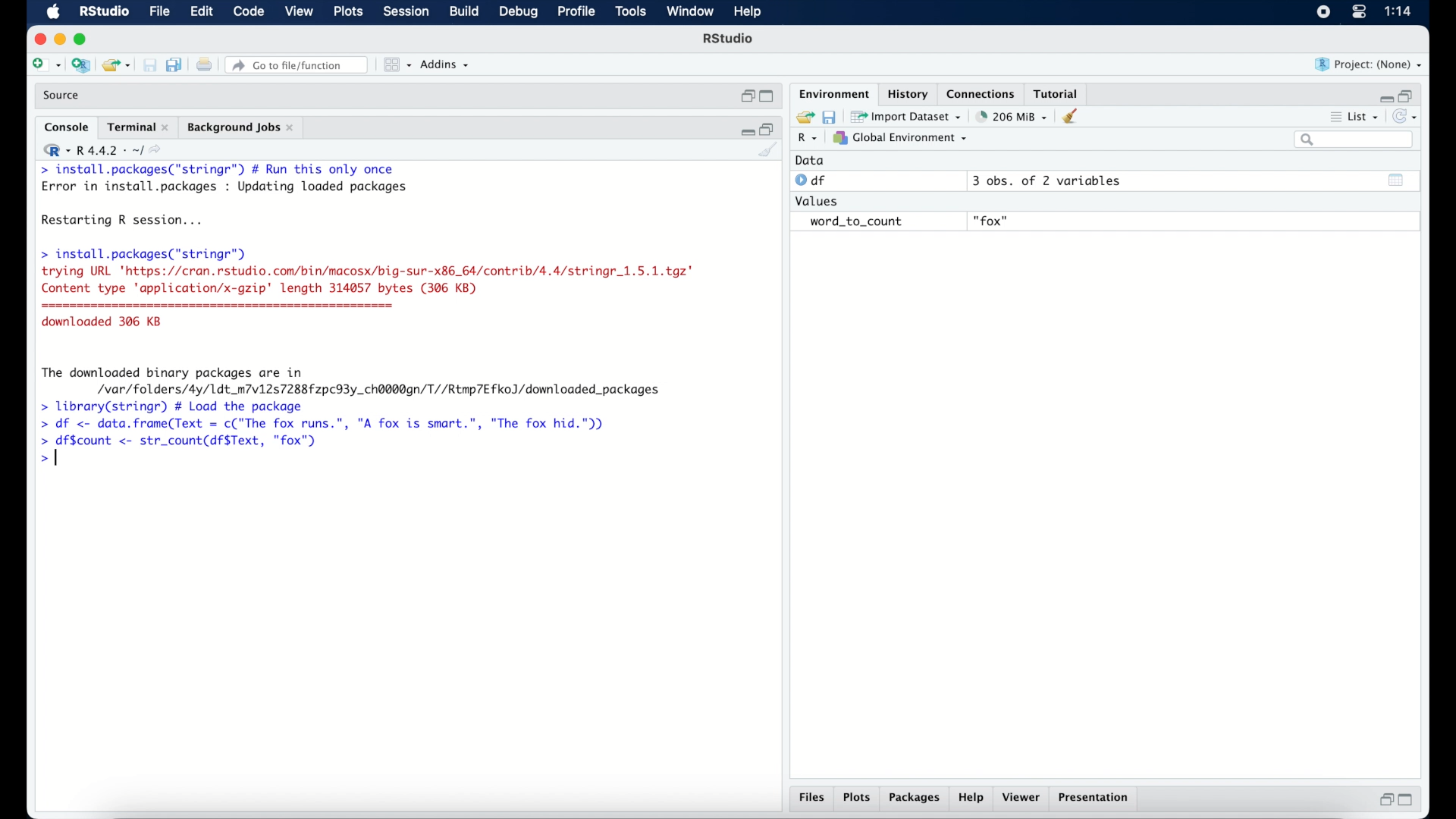 Image resolution: width=1456 pixels, height=819 pixels. Describe the element at coordinates (1397, 180) in the screenshot. I see `show output window` at that location.